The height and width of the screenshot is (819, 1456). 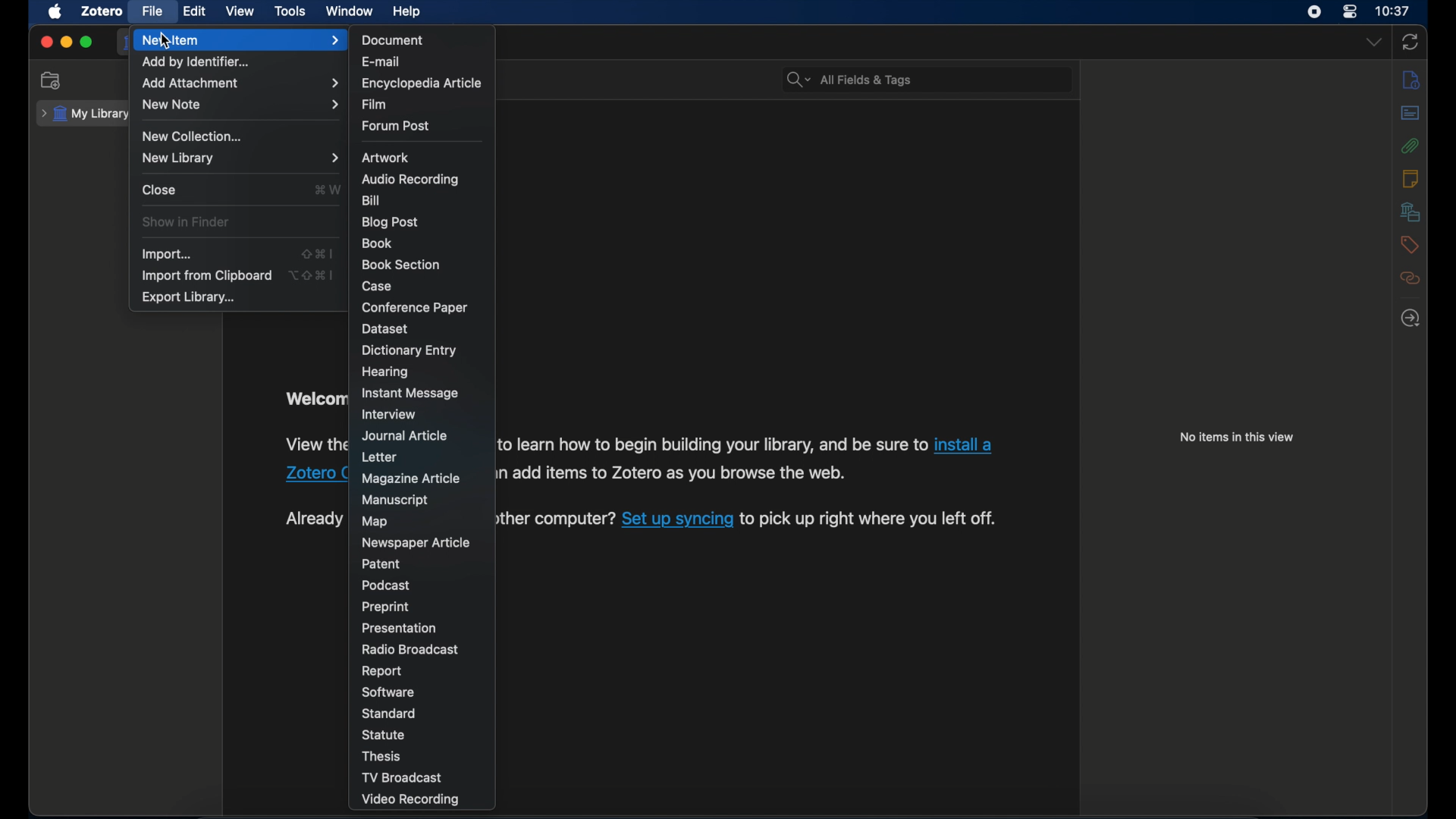 I want to click on attachments, so click(x=1411, y=146).